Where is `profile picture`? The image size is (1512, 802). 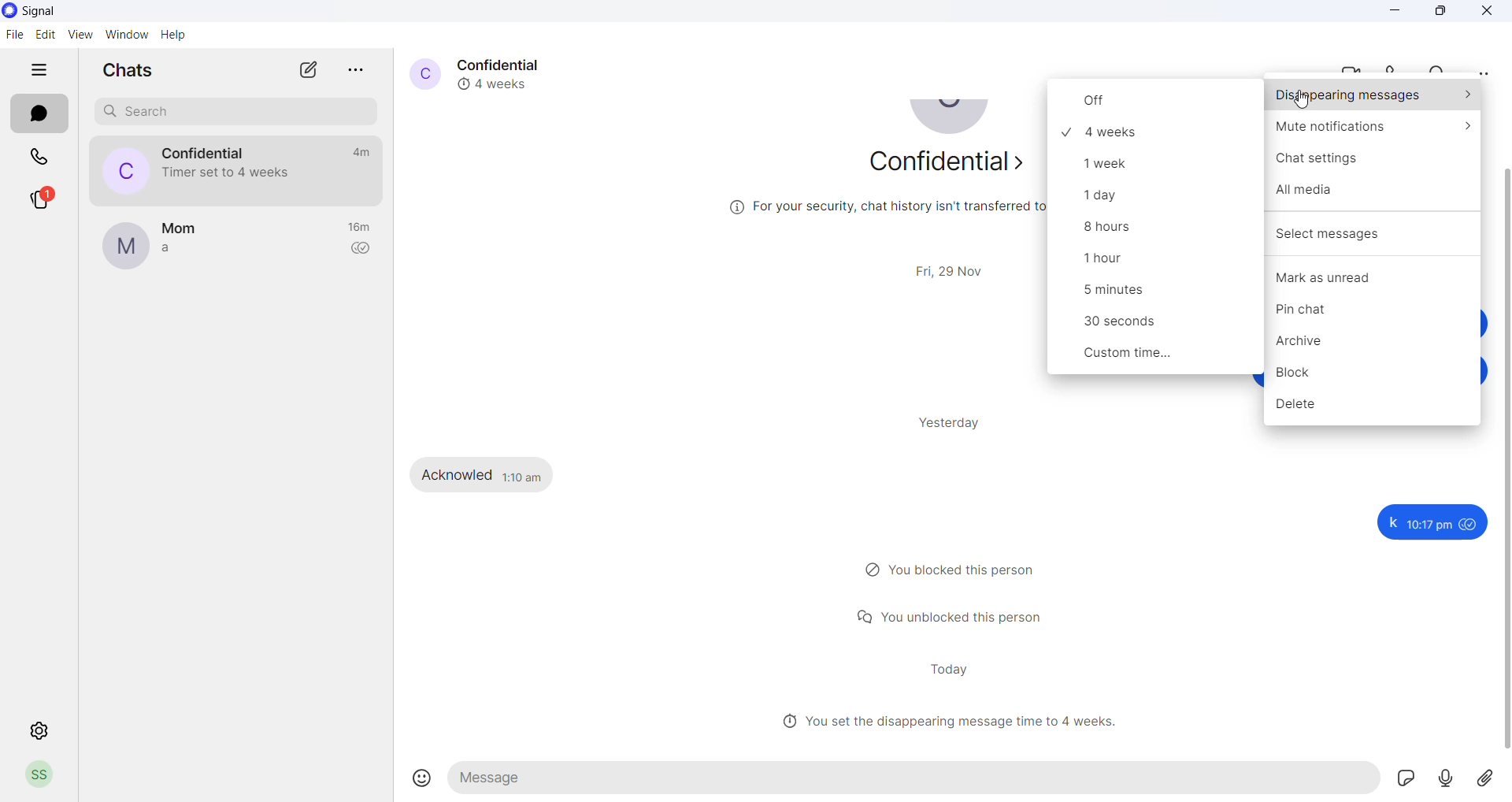 profile picture is located at coordinates (124, 247).